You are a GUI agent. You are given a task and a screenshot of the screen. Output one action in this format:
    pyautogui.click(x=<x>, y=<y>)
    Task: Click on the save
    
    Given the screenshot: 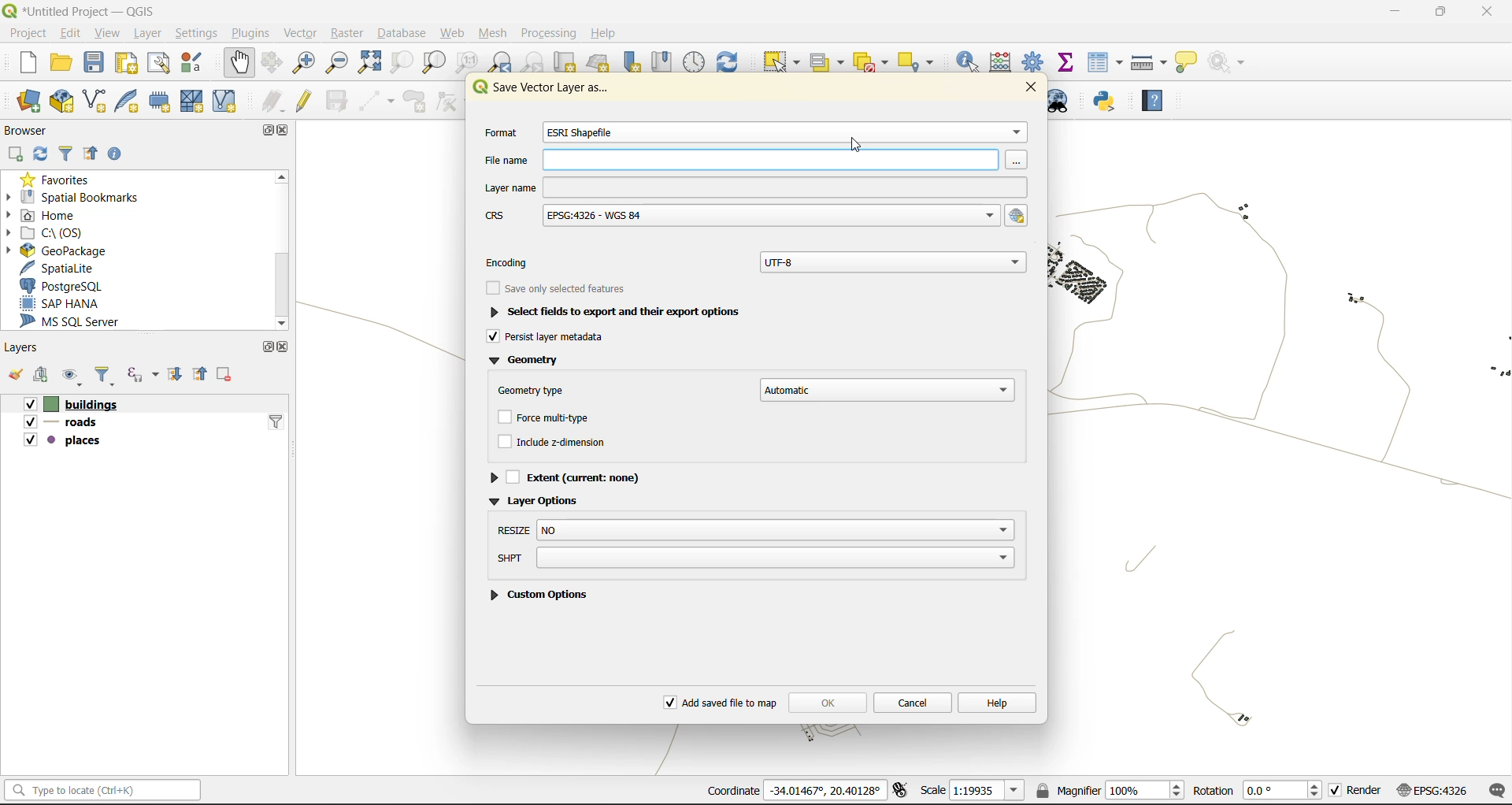 What is the action you would take?
    pyautogui.click(x=94, y=65)
    